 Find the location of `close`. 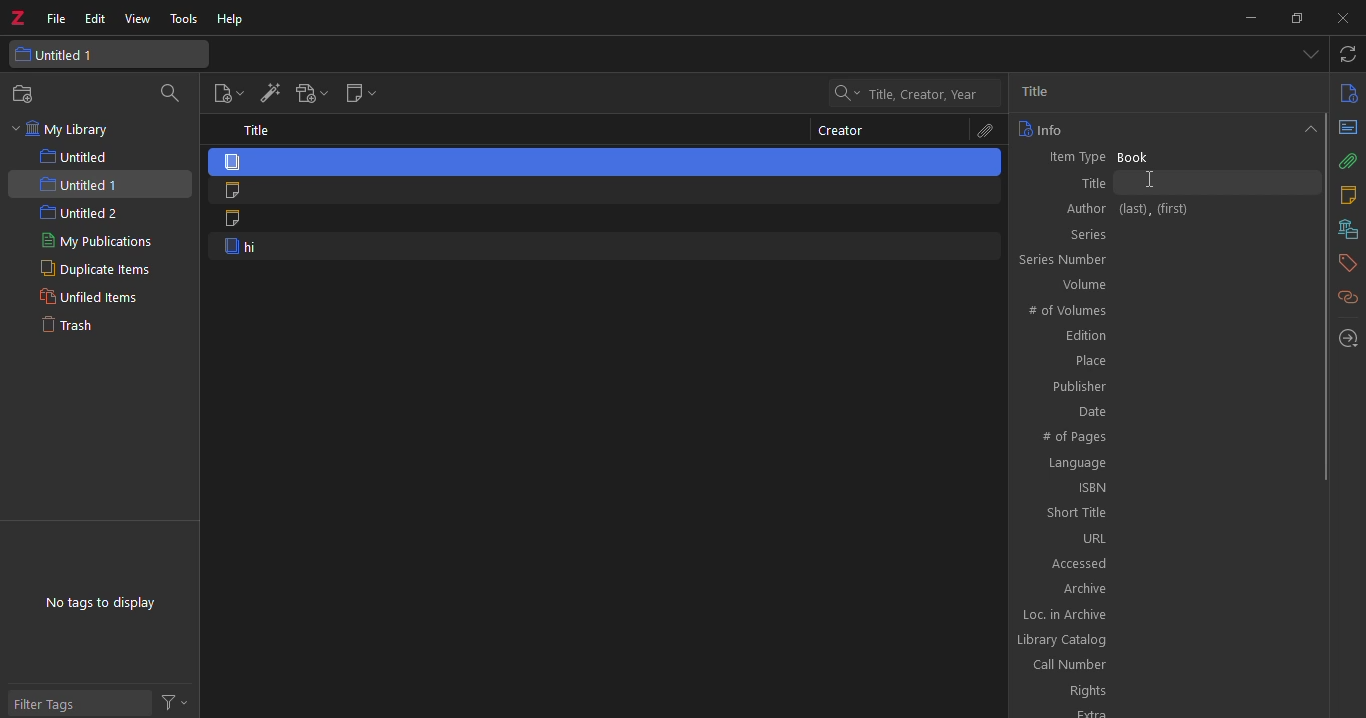

close is located at coordinates (1337, 18).